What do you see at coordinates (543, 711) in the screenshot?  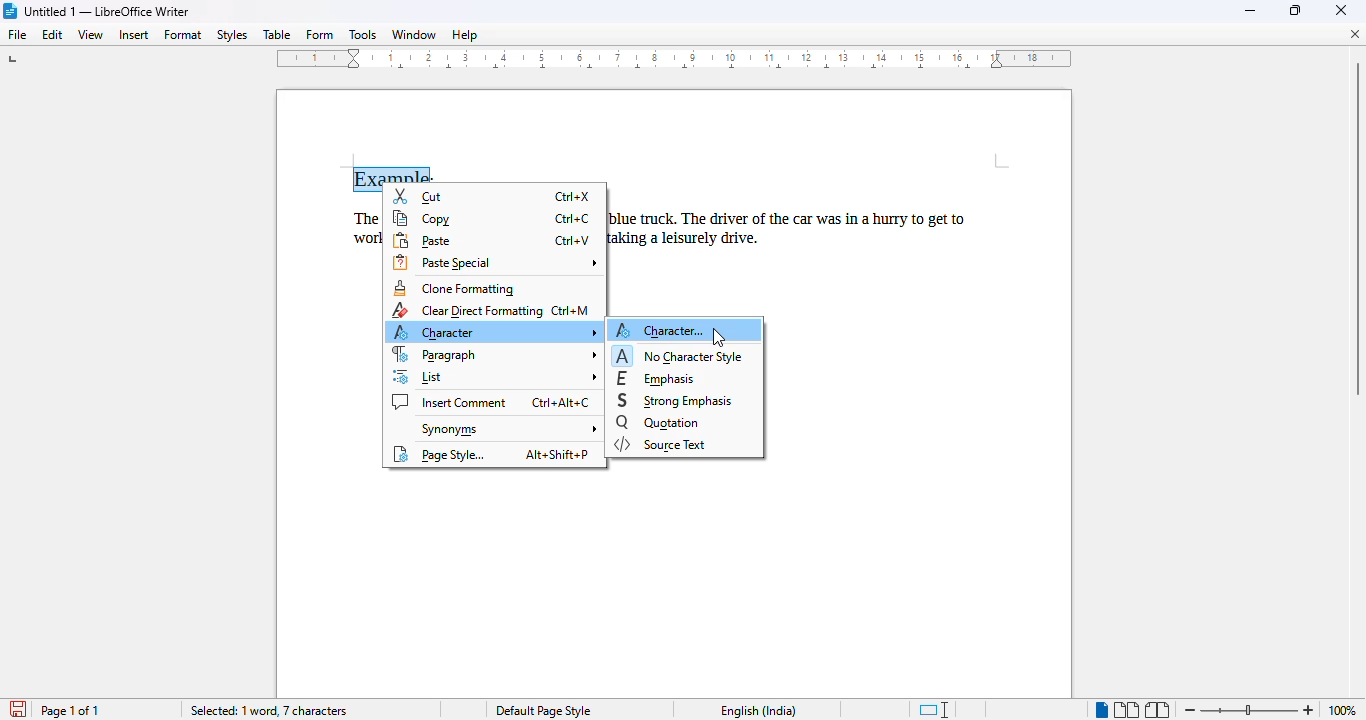 I see `Default page style` at bounding box center [543, 711].